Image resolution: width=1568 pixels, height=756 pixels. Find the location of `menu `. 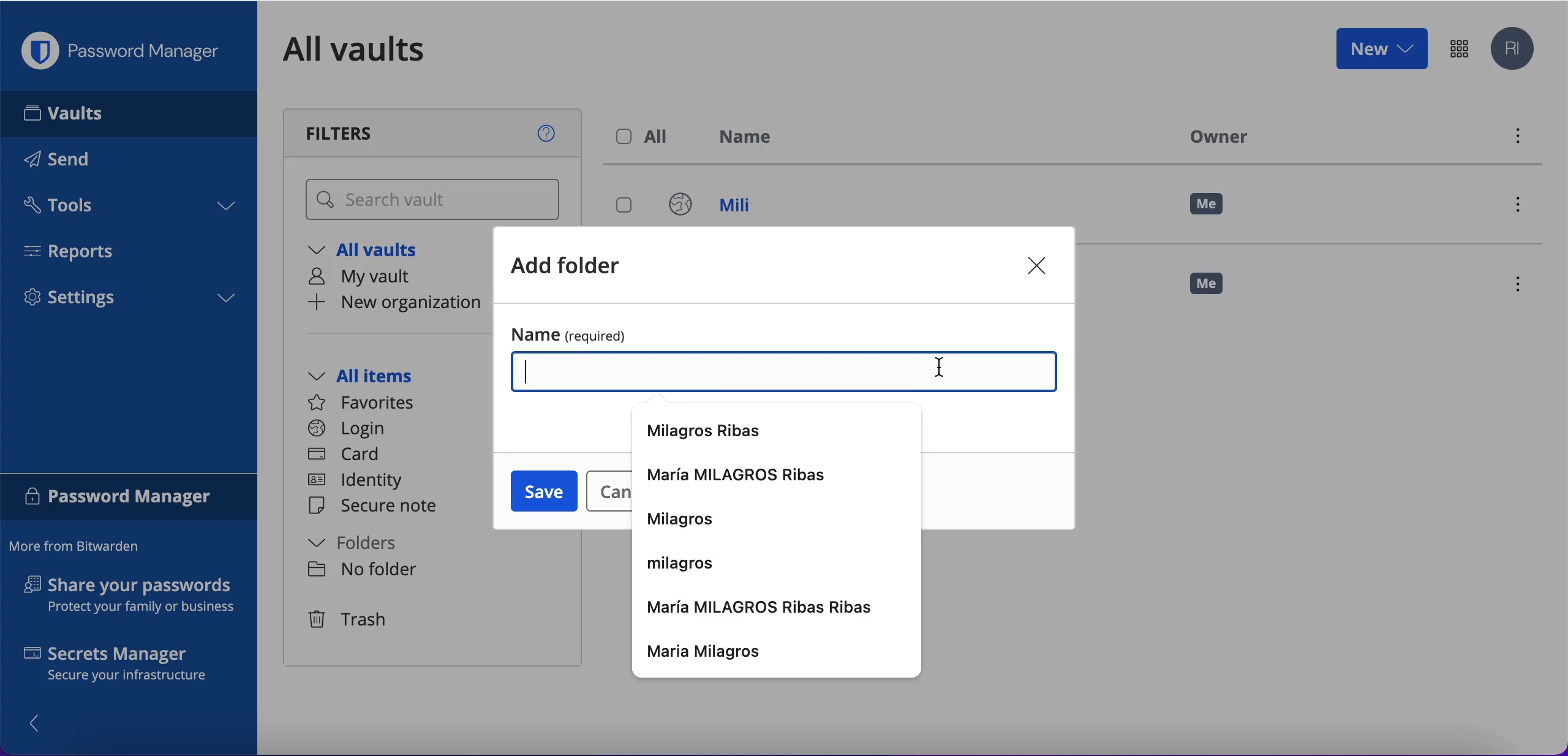

menu  is located at coordinates (1523, 208).